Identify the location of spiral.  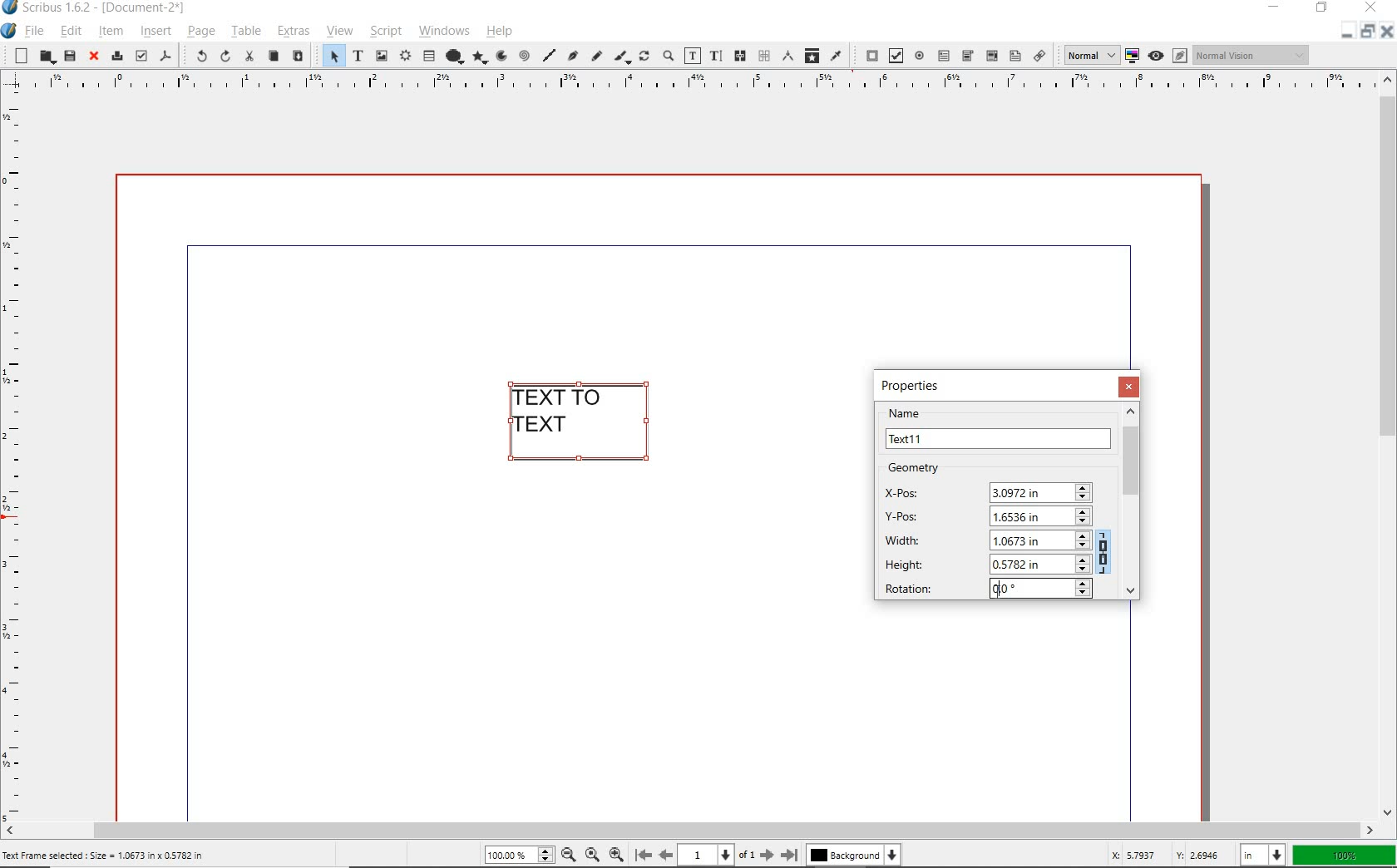
(523, 55).